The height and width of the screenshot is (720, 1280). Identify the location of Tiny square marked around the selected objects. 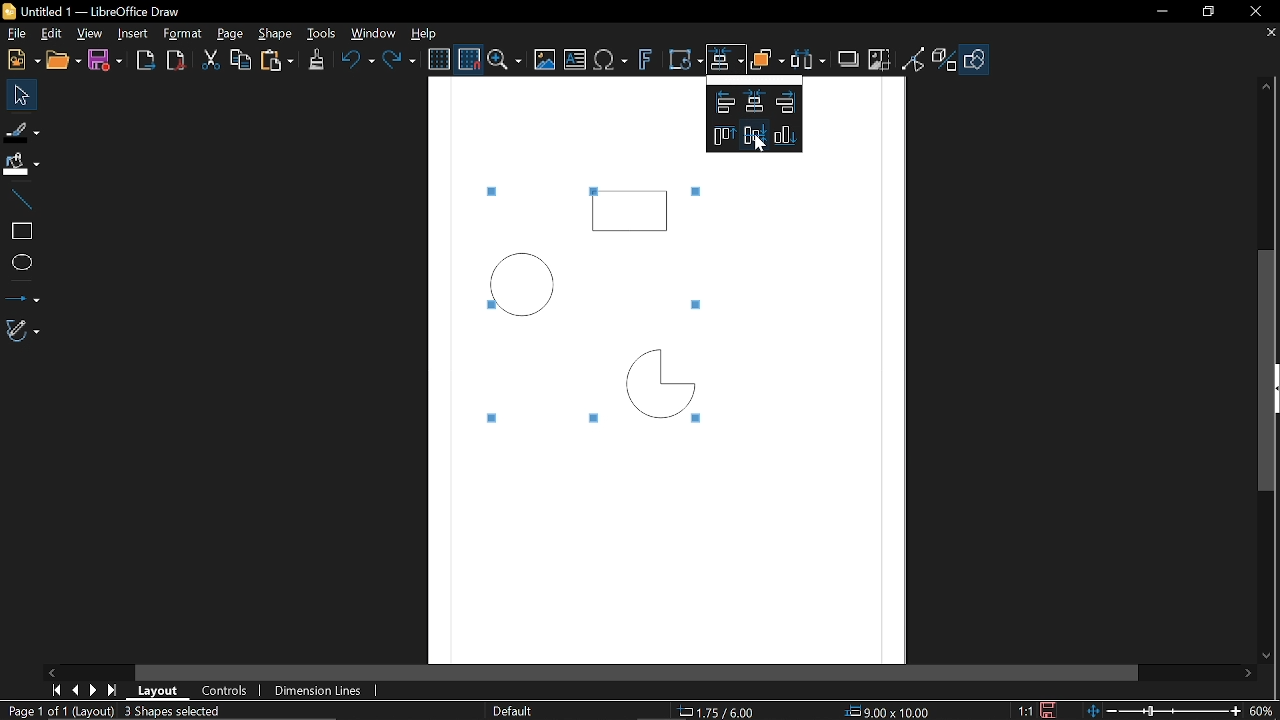
(588, 191).